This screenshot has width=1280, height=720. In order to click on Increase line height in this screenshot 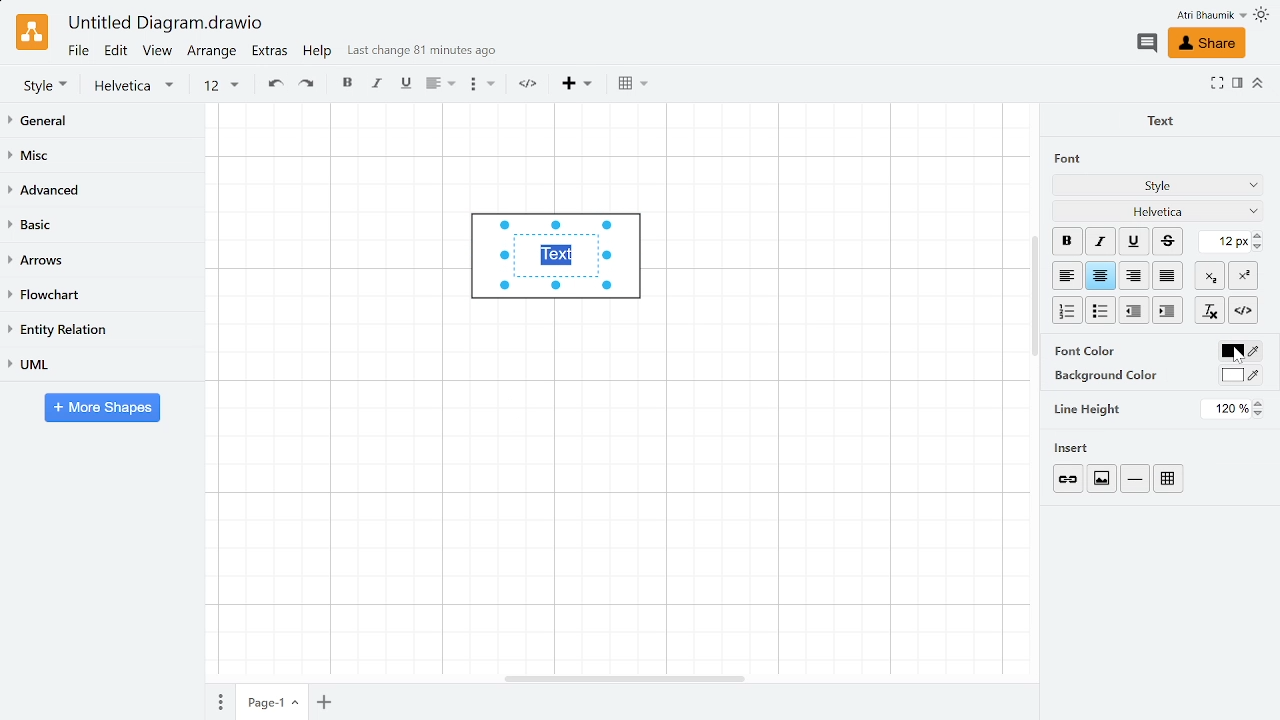, I will do `click(1260, 403)`.